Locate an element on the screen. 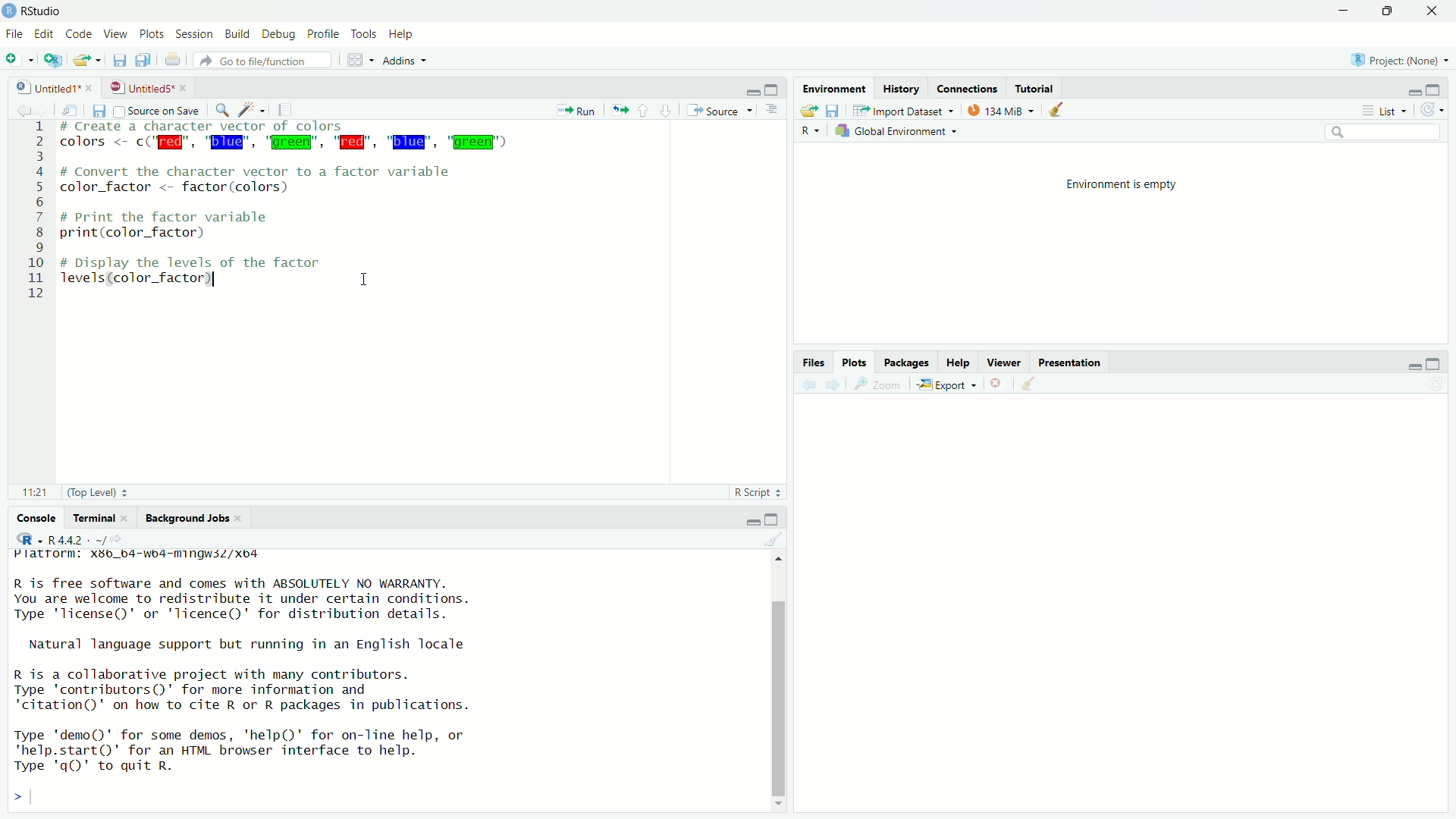 The width and height of the screenshot is (1456, 819). platform is located at coordinates (161, 557).